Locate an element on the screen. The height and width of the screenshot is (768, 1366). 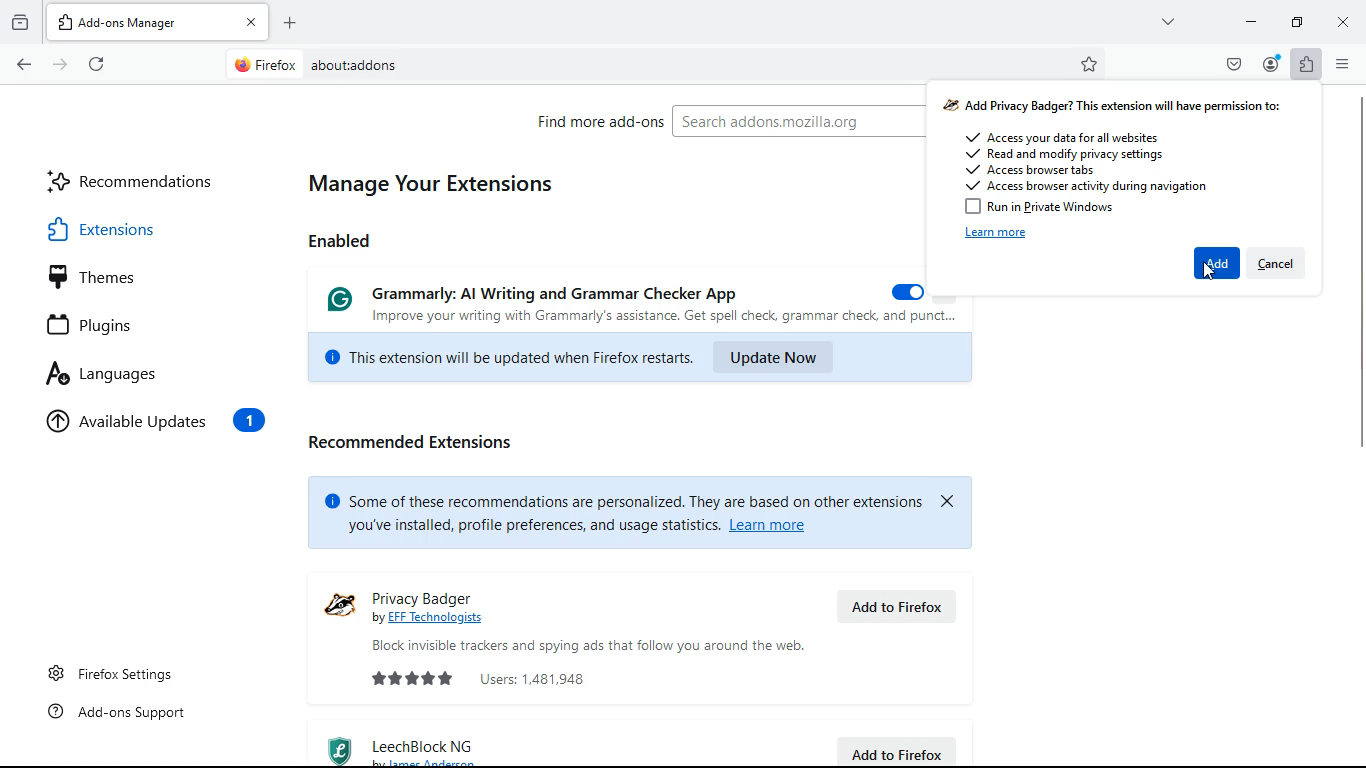
Improve your writing with Grammarly's assistance. Get spell check, grammar check, and punct... is located at coordinates (665, 319).